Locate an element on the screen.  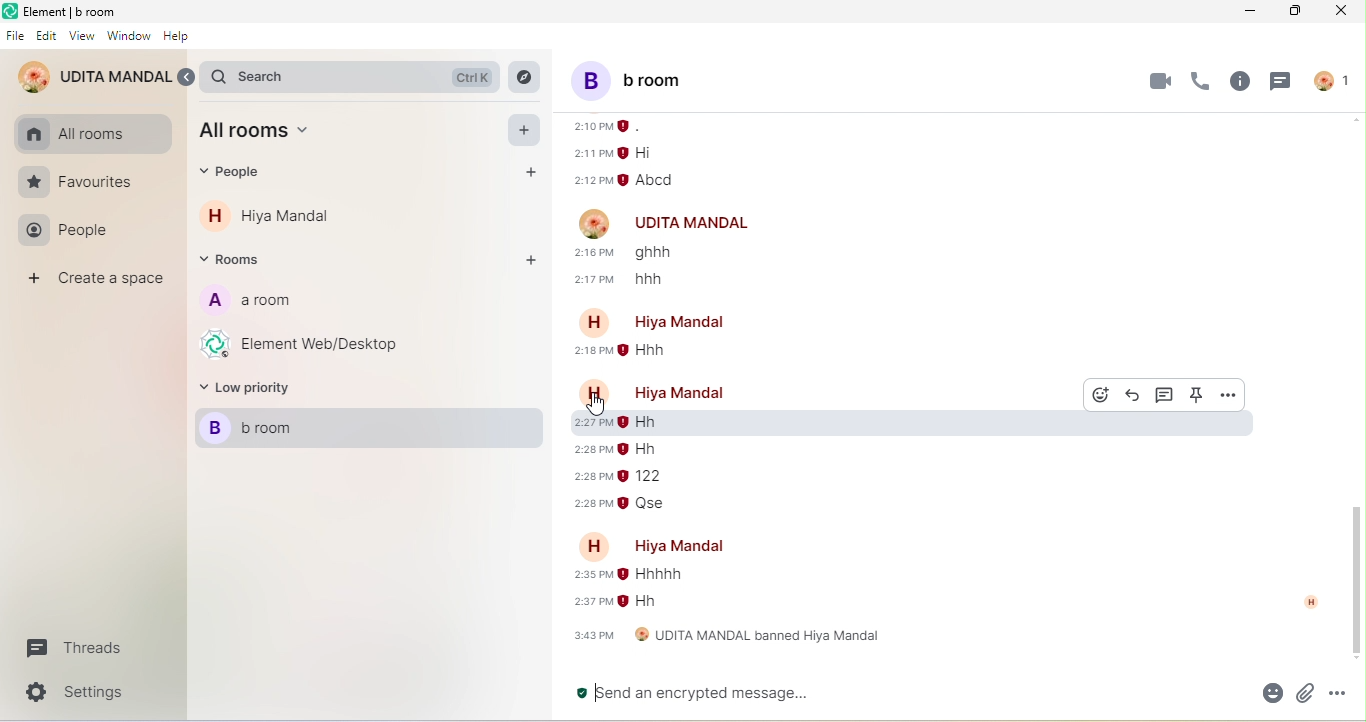
element logo  is located at coordinates (10, 10).